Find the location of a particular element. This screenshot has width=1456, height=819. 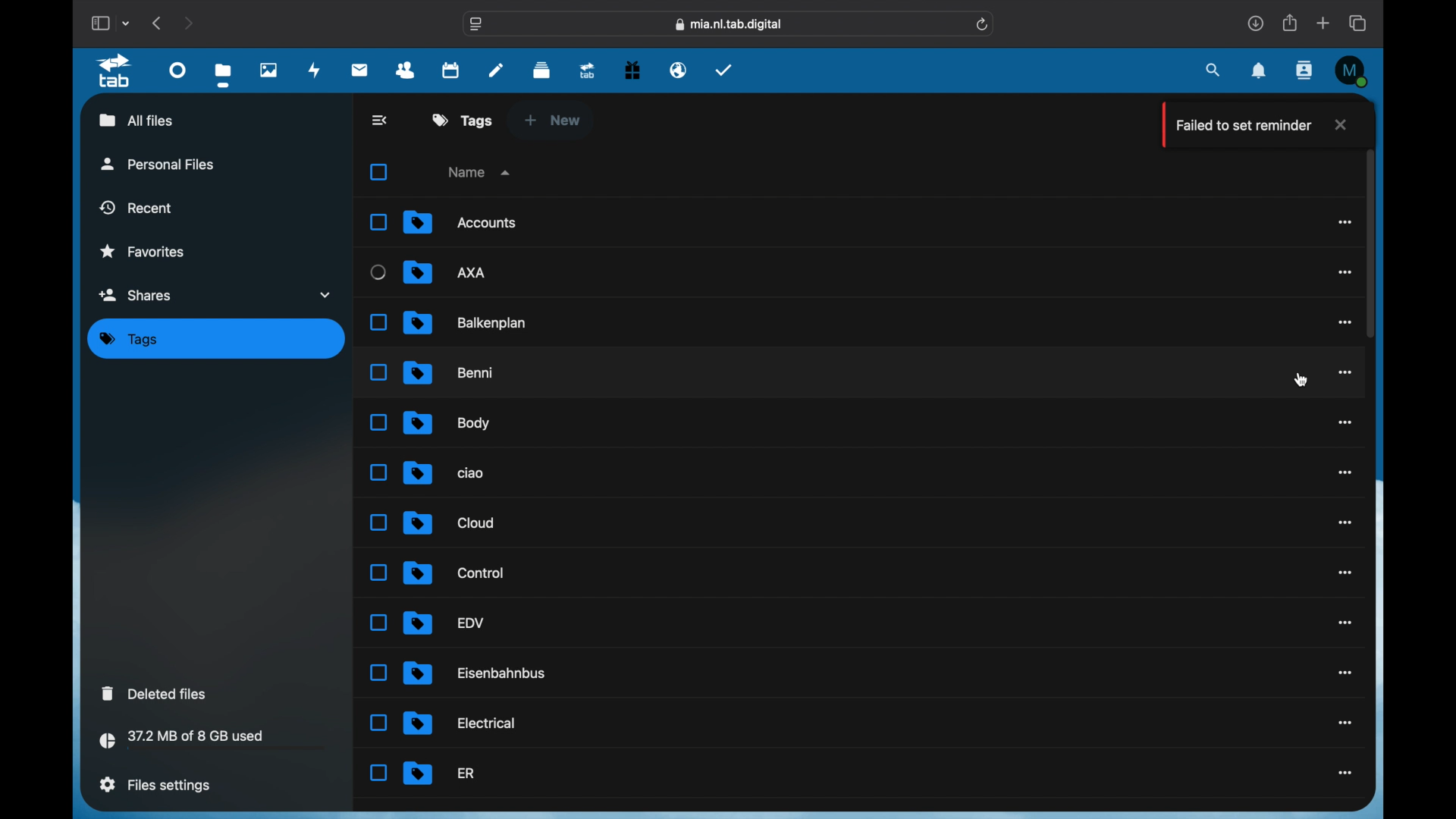

Unselected Checkbox is located at coordinates (378, 522).